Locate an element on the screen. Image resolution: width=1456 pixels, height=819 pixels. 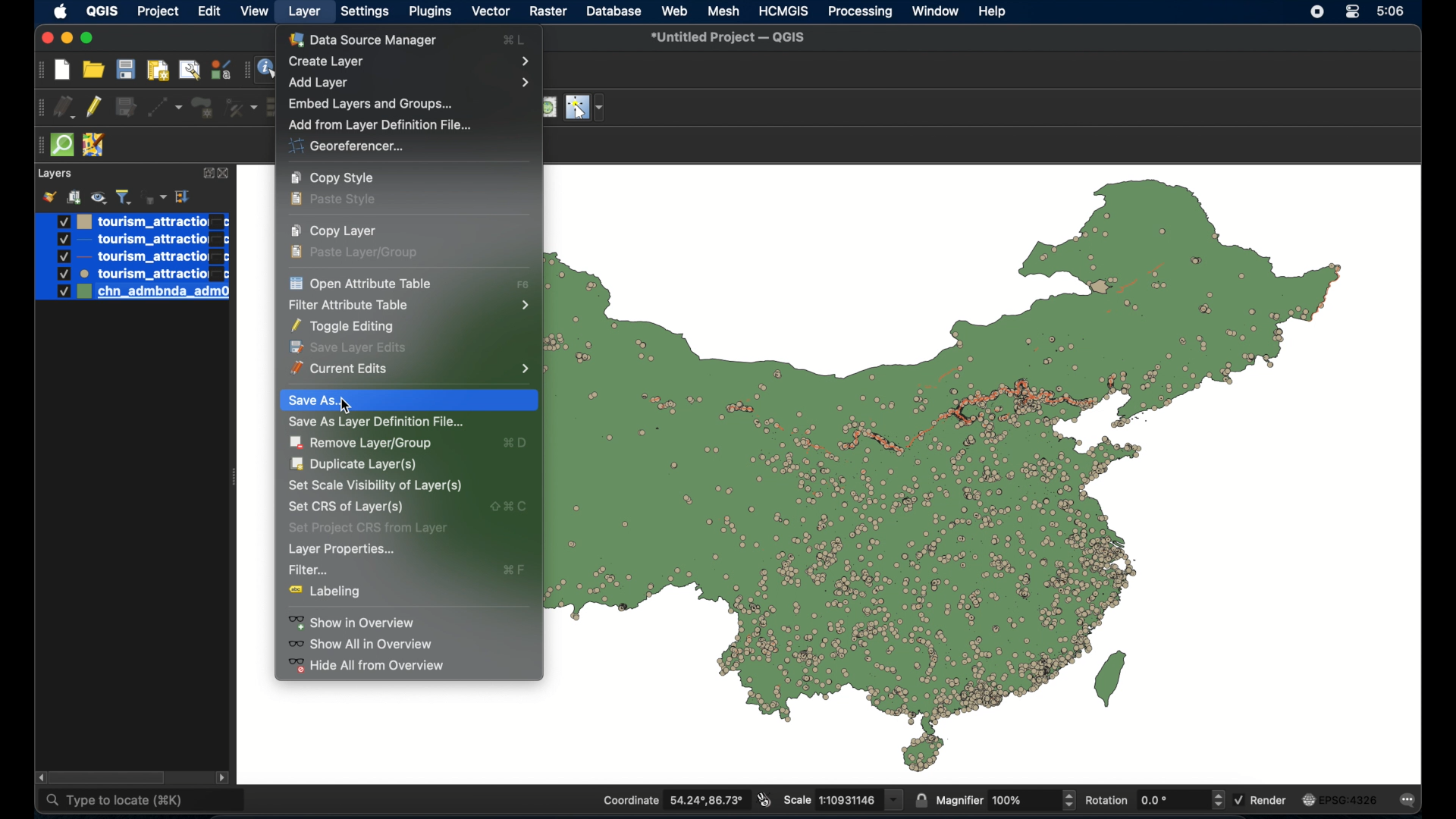
vertex tool is located at coordinates (243, 108).